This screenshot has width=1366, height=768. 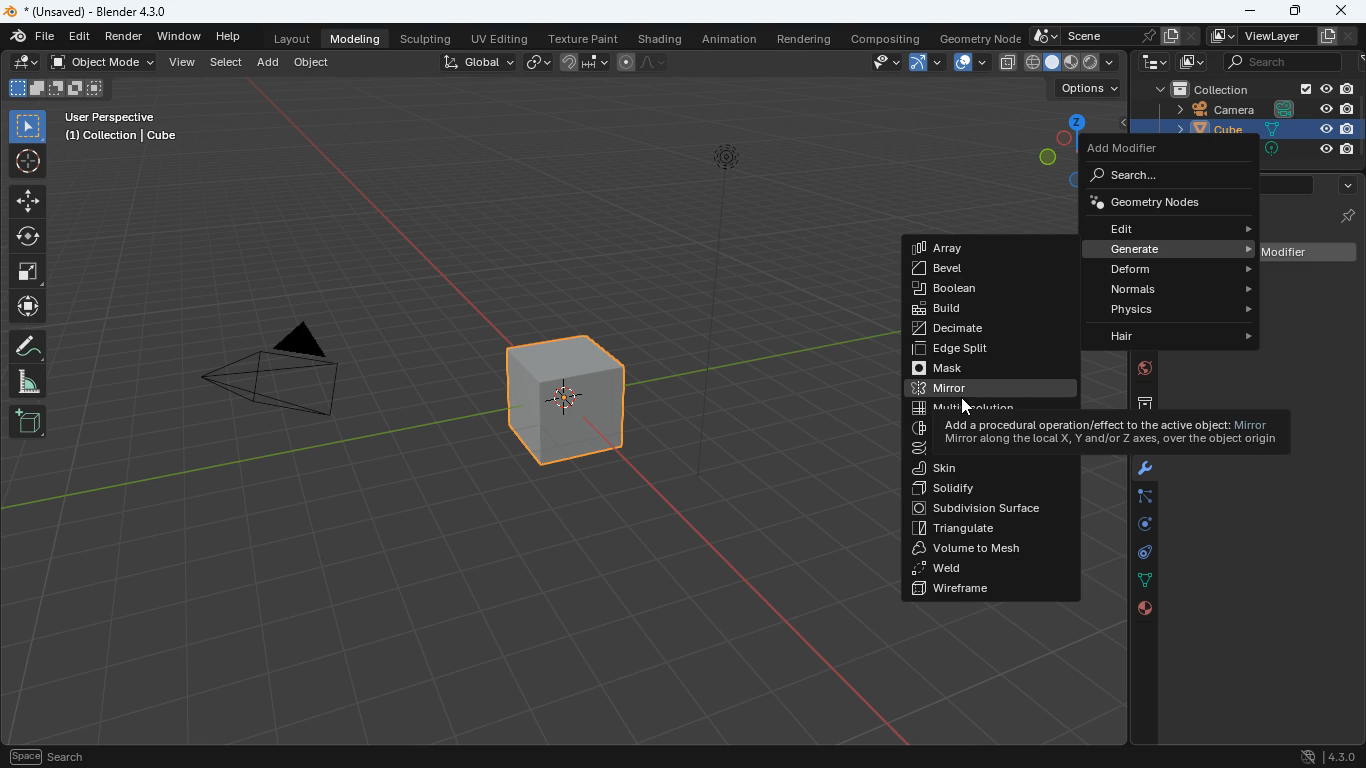 What do you see at coordinates (984, 489) in the screenshot?
I see `solidify` at bounding box center [984, 489].